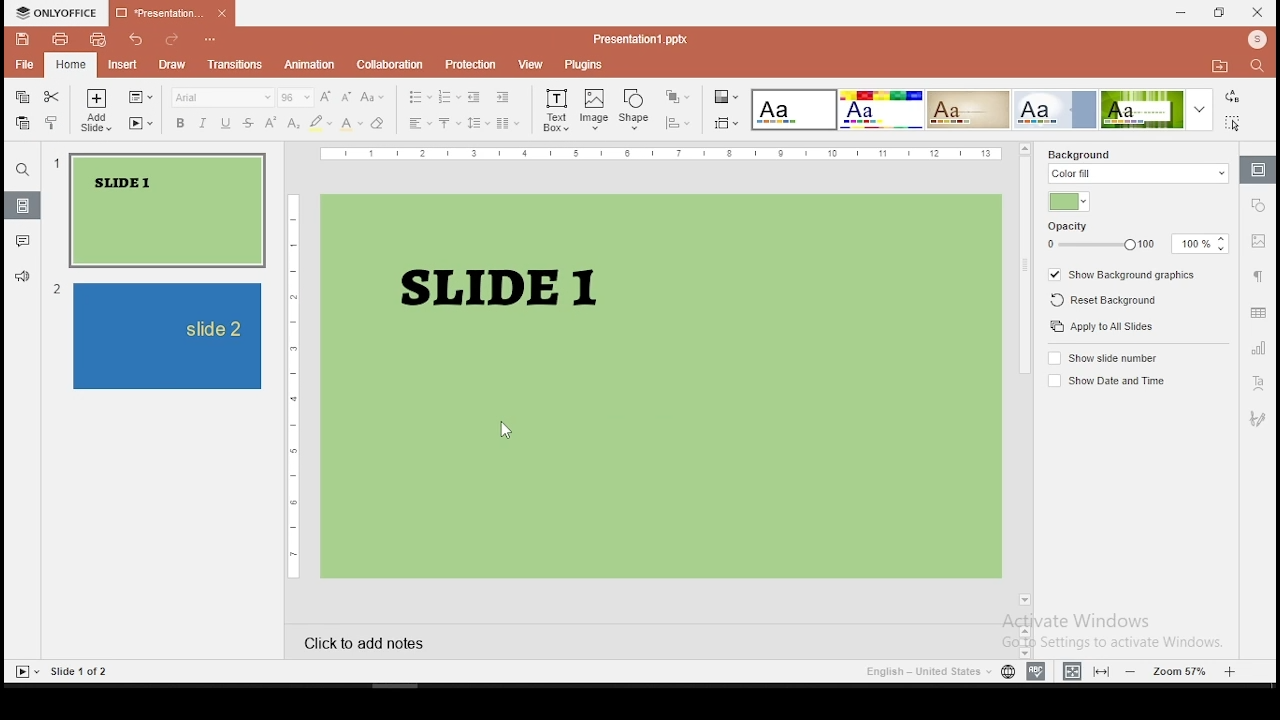  What do you see at coordinates (419, 97) in the screenshot?
I see `bullets` at bounding box center [419, 97].